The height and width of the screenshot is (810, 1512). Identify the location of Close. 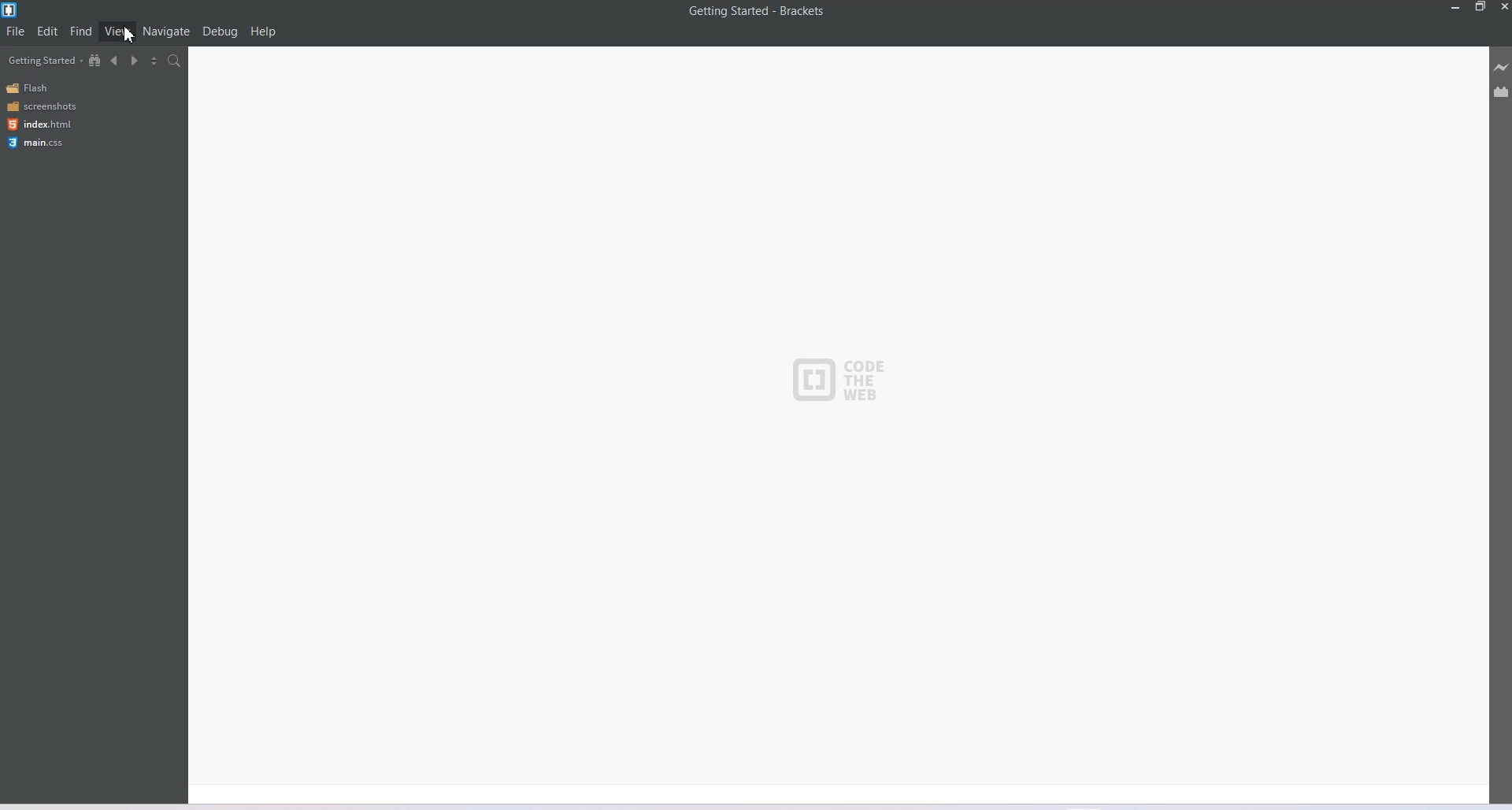
(1503, 7).